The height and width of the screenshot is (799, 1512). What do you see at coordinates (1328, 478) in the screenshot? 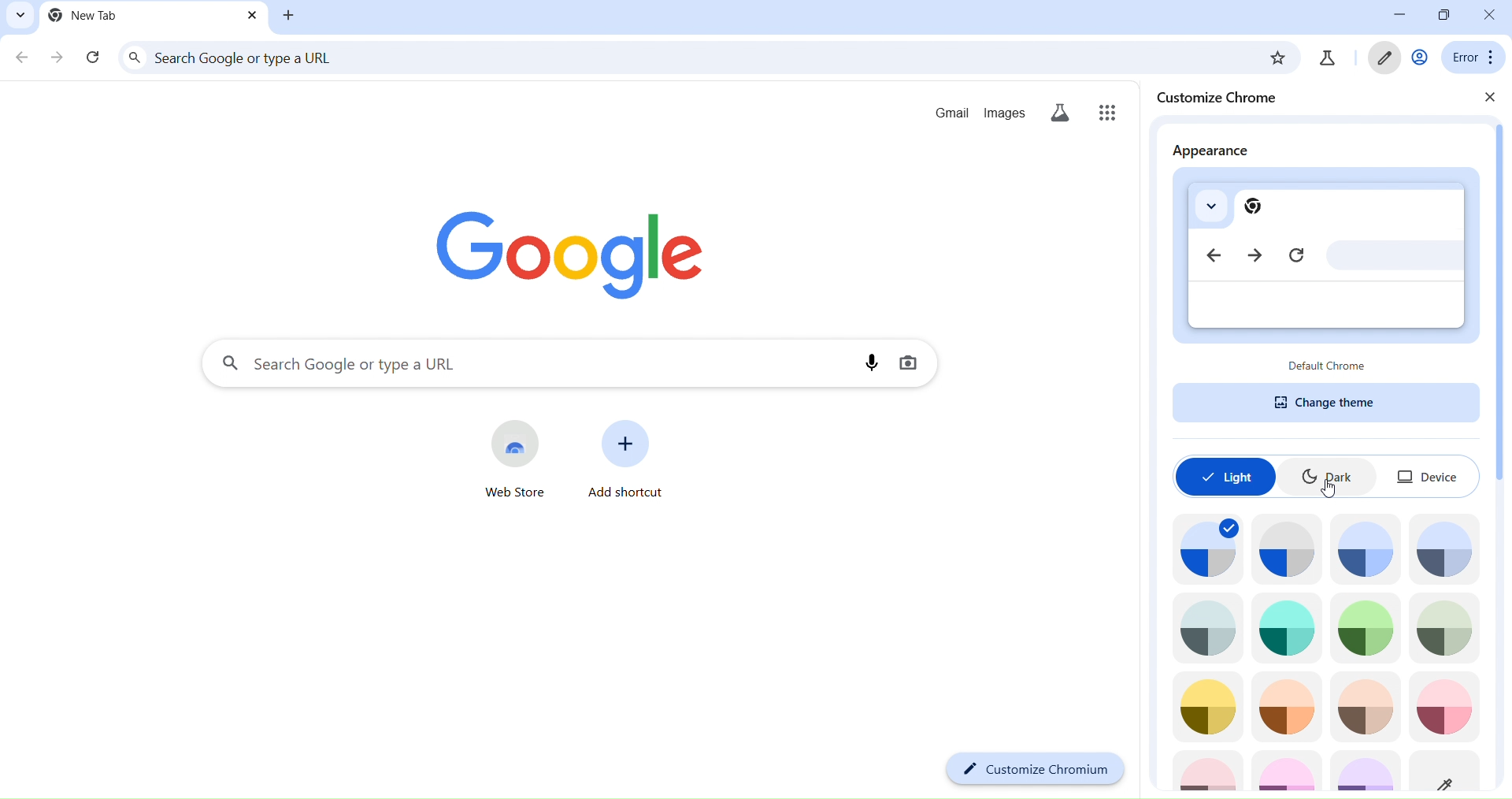
I see `dark` at bounding box center [1328, 478].